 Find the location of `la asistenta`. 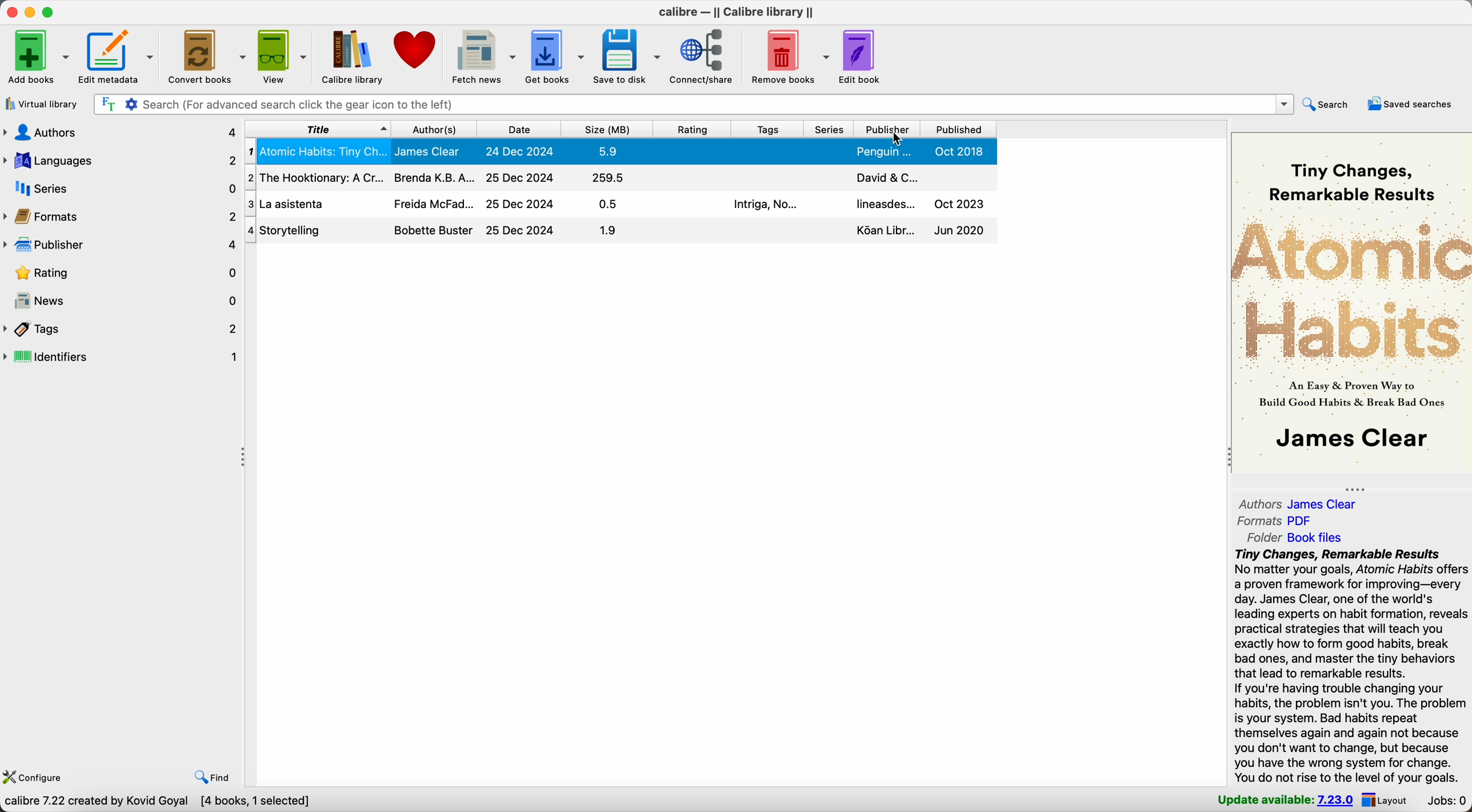

la asistenta is located at coordinates (295, 205).